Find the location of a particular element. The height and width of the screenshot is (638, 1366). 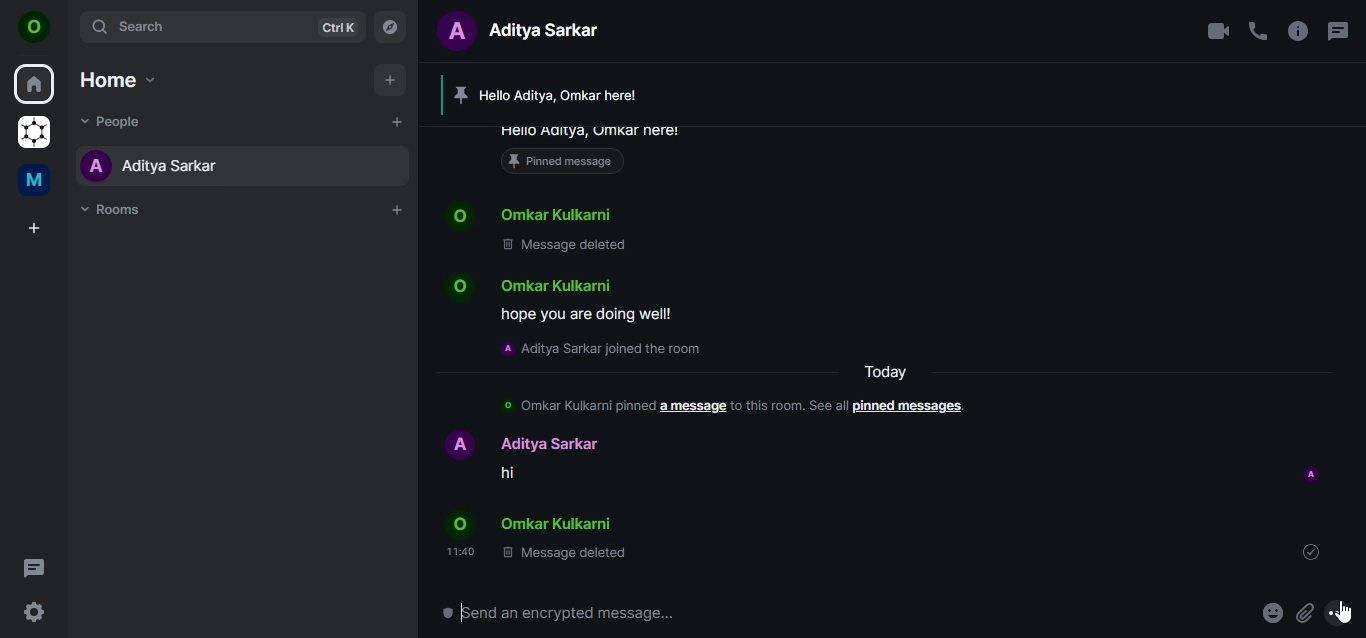

message sent by  is located at coordinates (1313, 475).